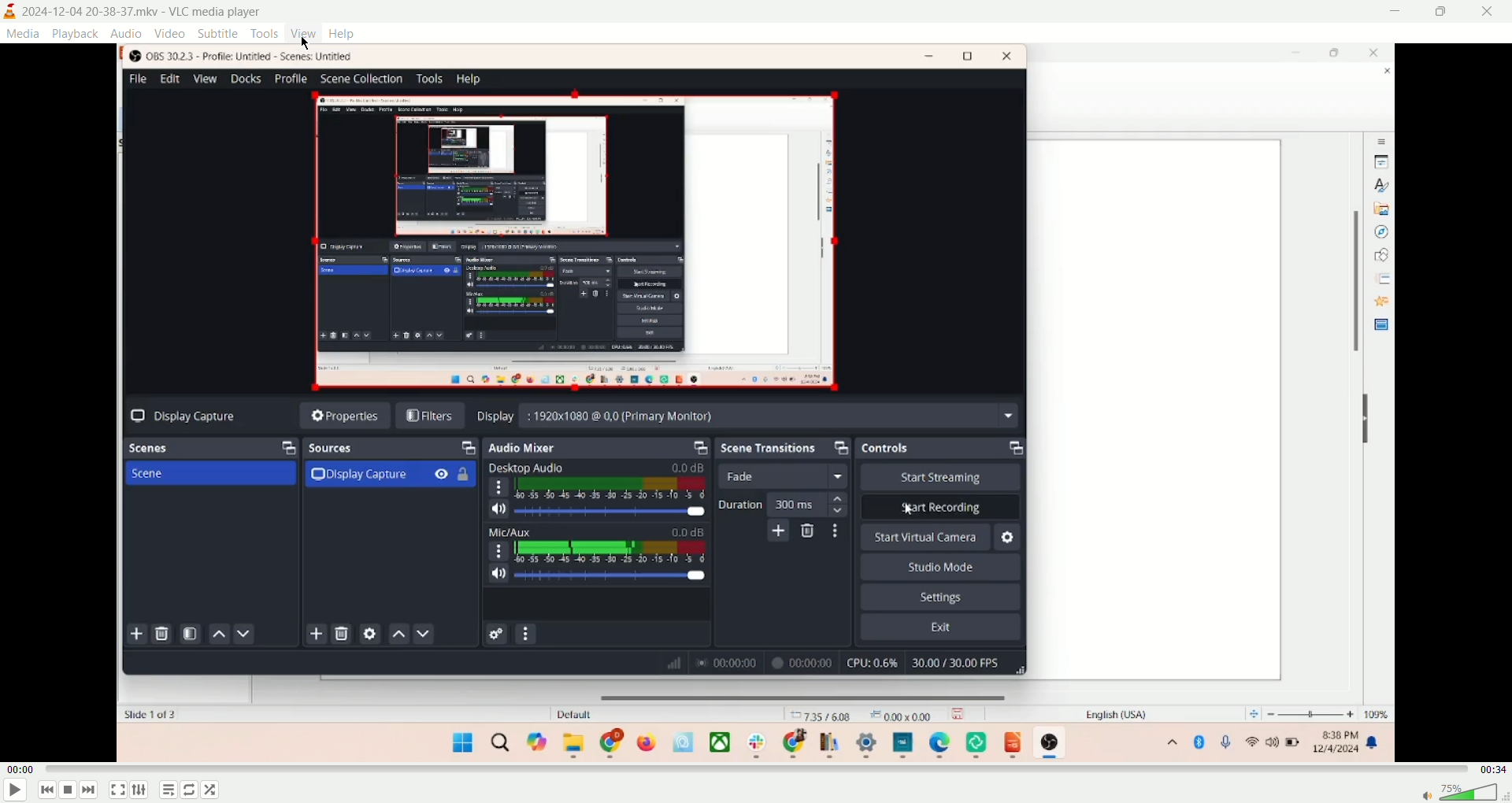  I want to click on previous, so click(48, 791).